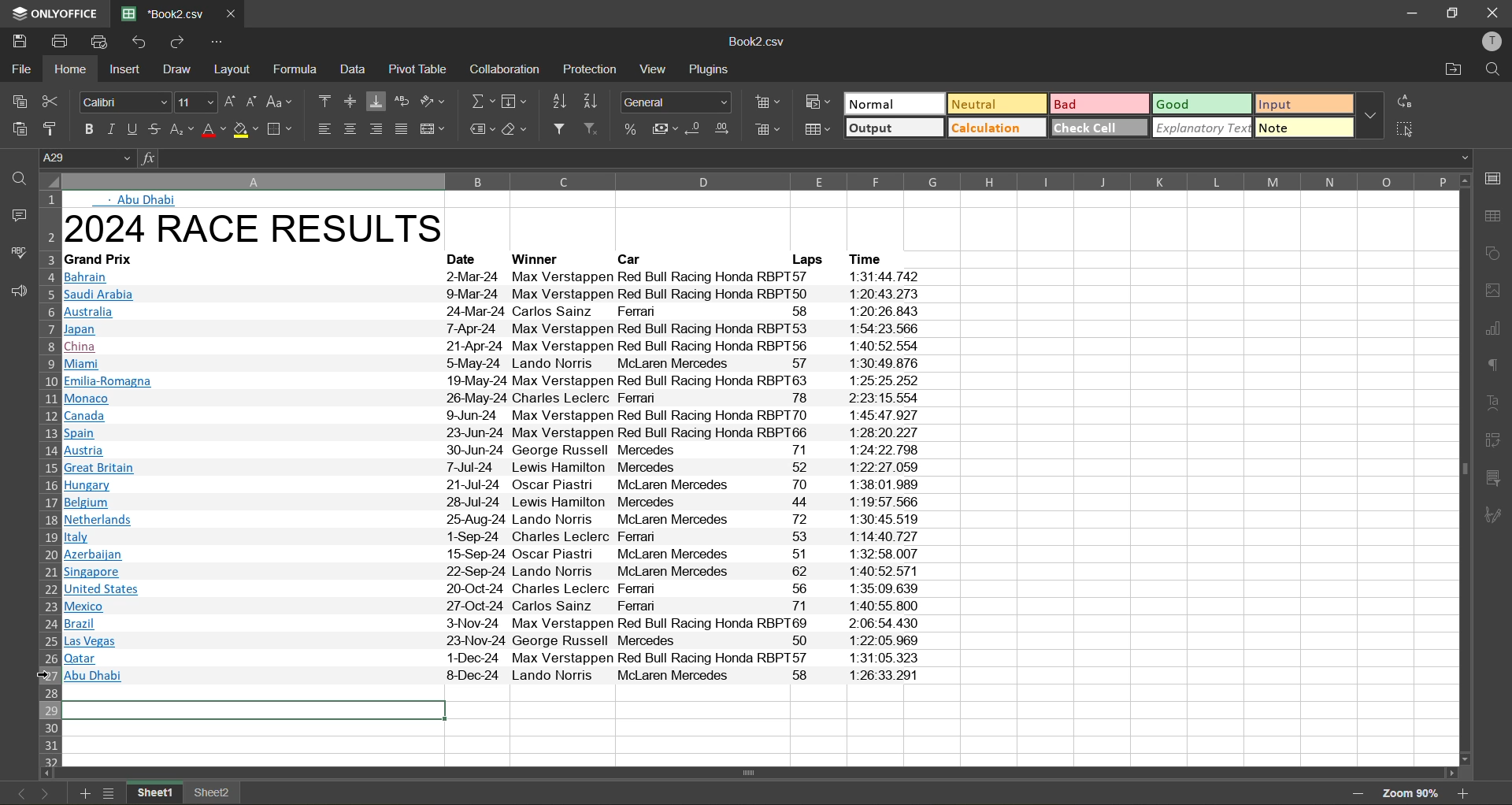 Image resolution: width=1512 pixels, height=805 pixels. What do you see at coordinates (1494, 479) in the screenshot?
I see `slicer` at bounding box center [1494, 479].